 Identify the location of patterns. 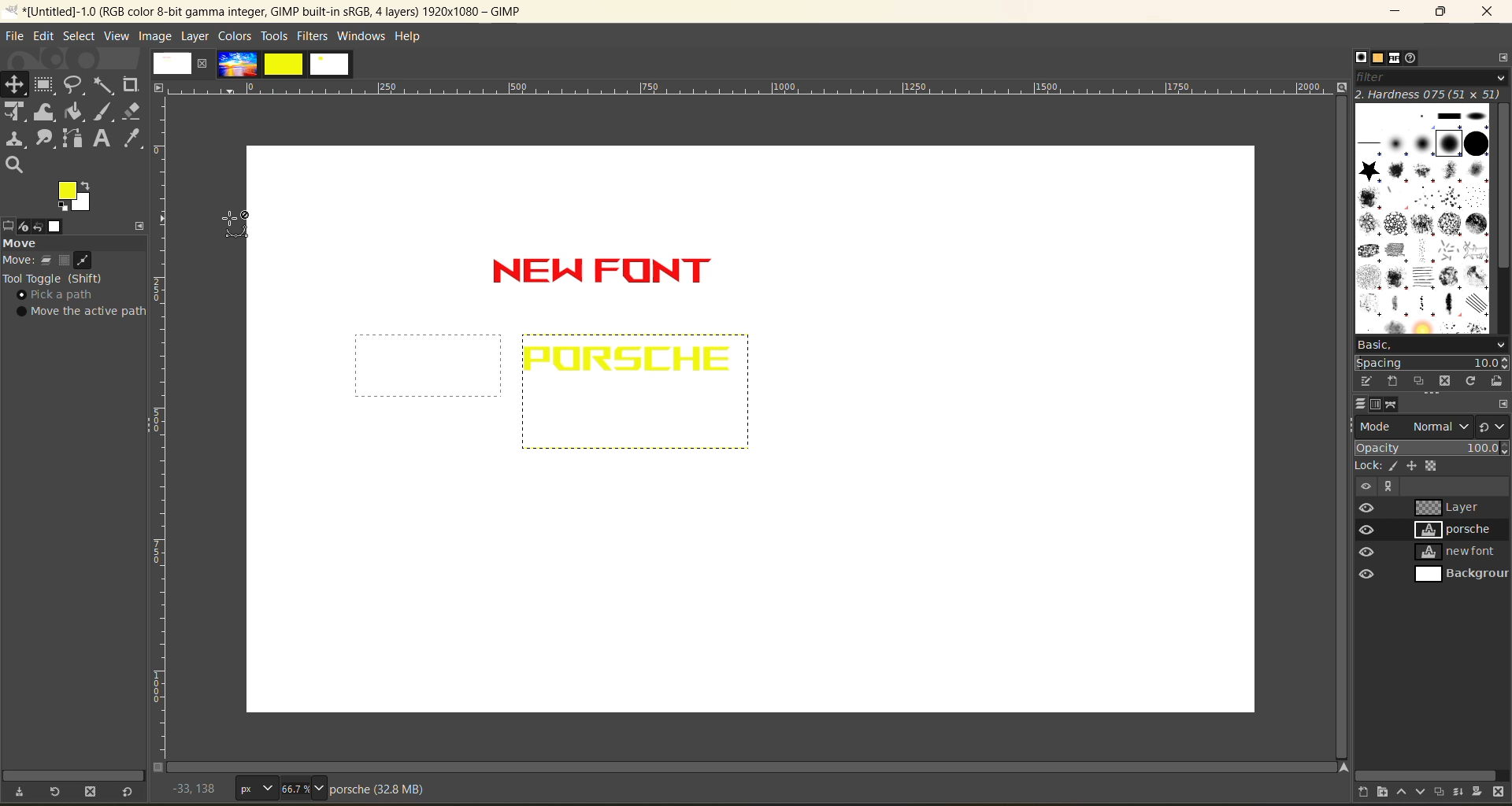
(1374, 58).